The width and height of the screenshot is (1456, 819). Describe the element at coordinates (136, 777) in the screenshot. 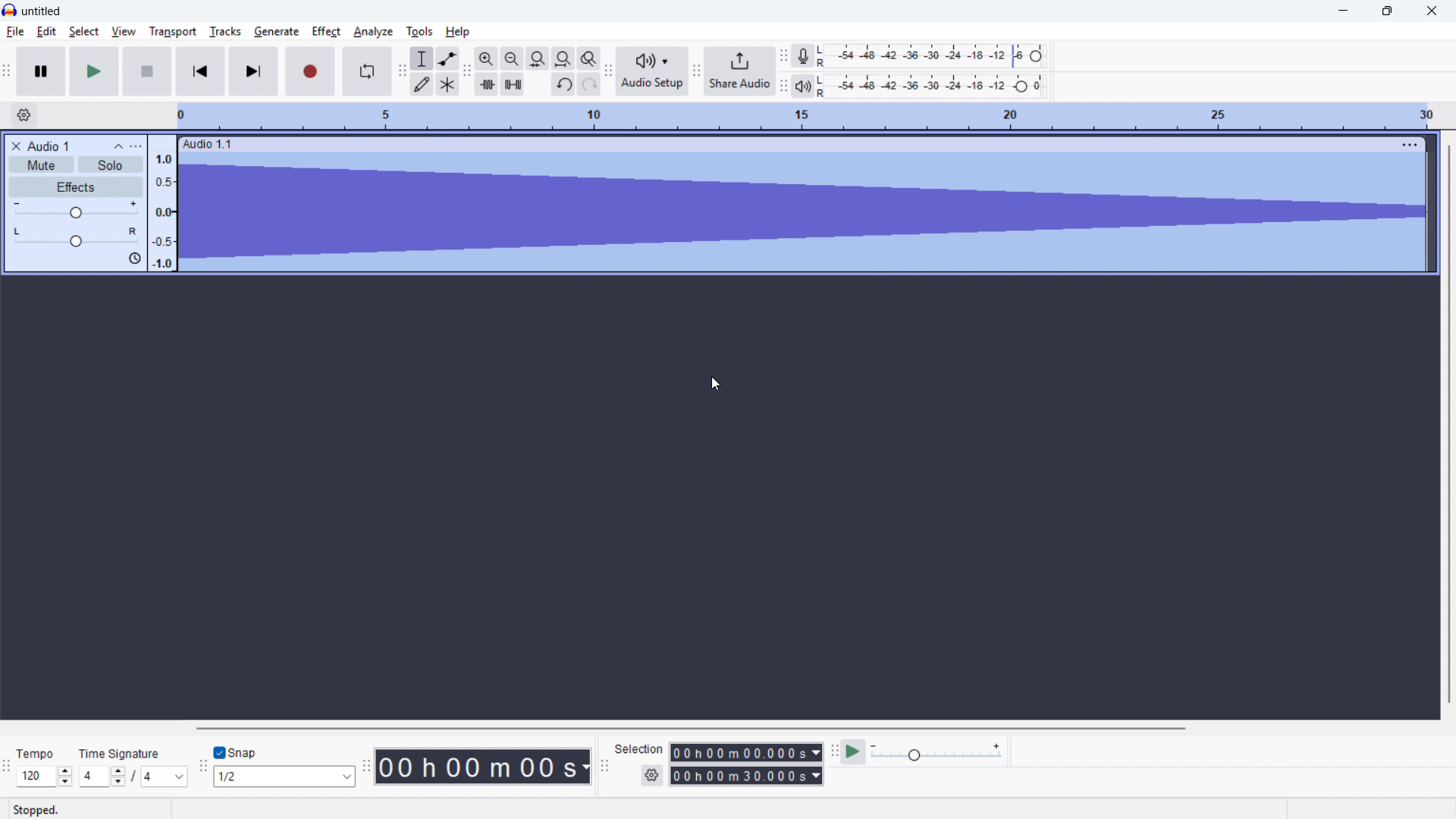

I see `Set time signature ` at that location.